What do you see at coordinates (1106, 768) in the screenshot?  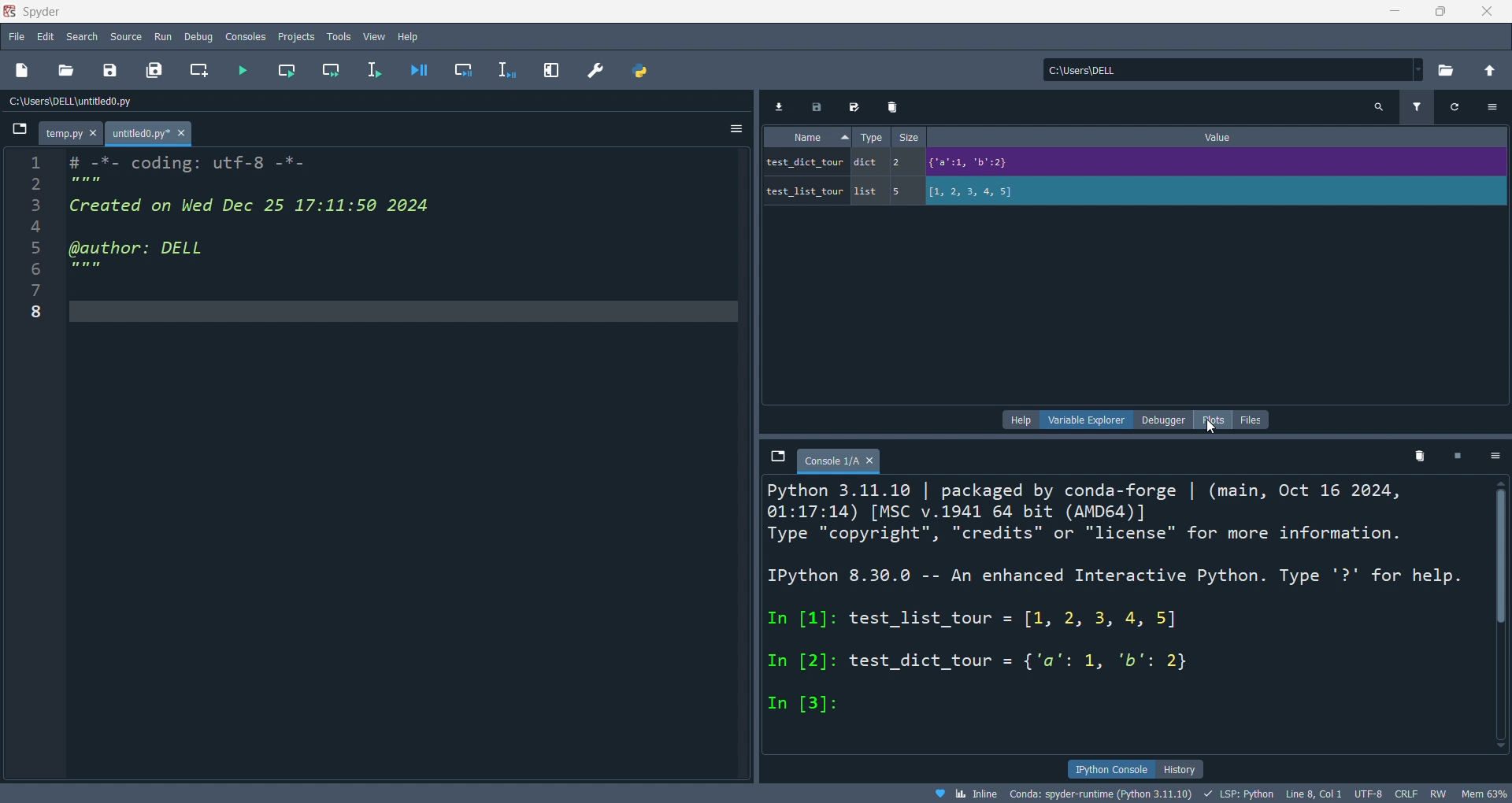 I see `ipyhton console` at bounding box center [1106, 768].